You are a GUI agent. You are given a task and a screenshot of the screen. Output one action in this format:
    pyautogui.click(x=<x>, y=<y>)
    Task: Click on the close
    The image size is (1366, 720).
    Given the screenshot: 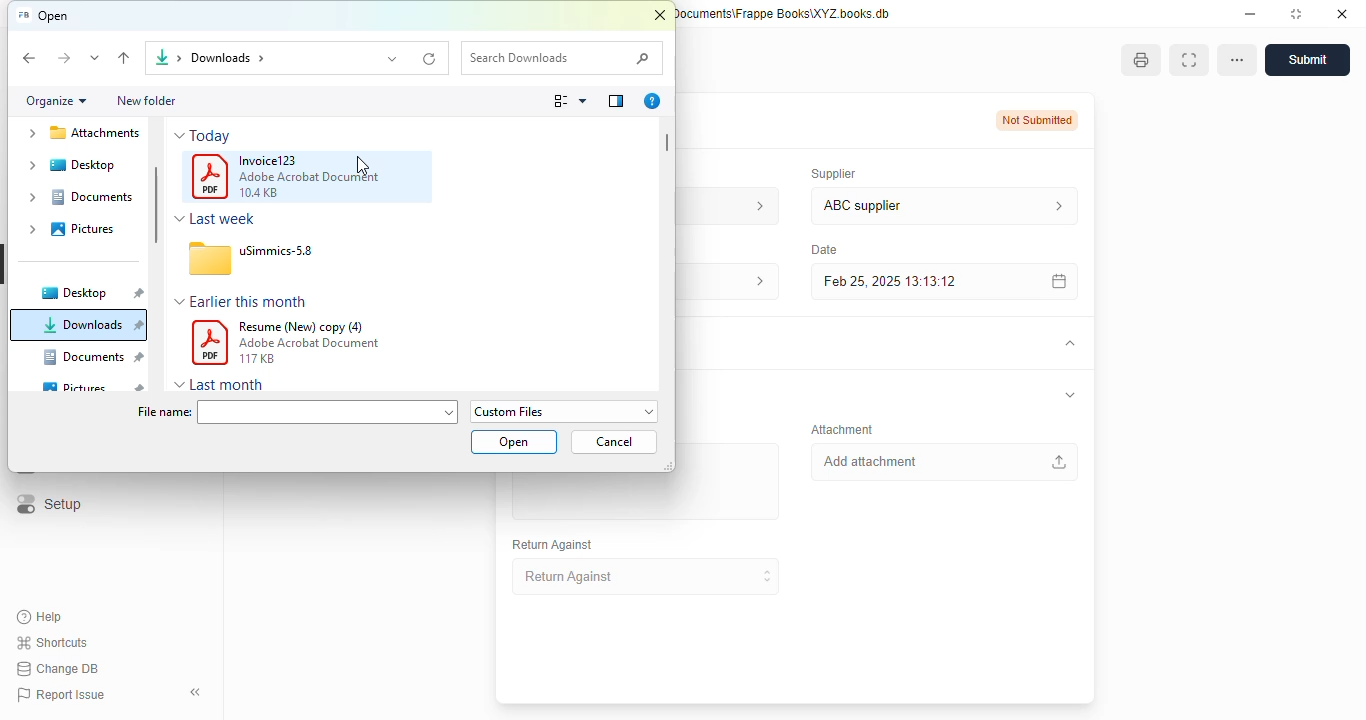 What is the action you would take?
    pyautogui.click(x=1342, y=13)
    